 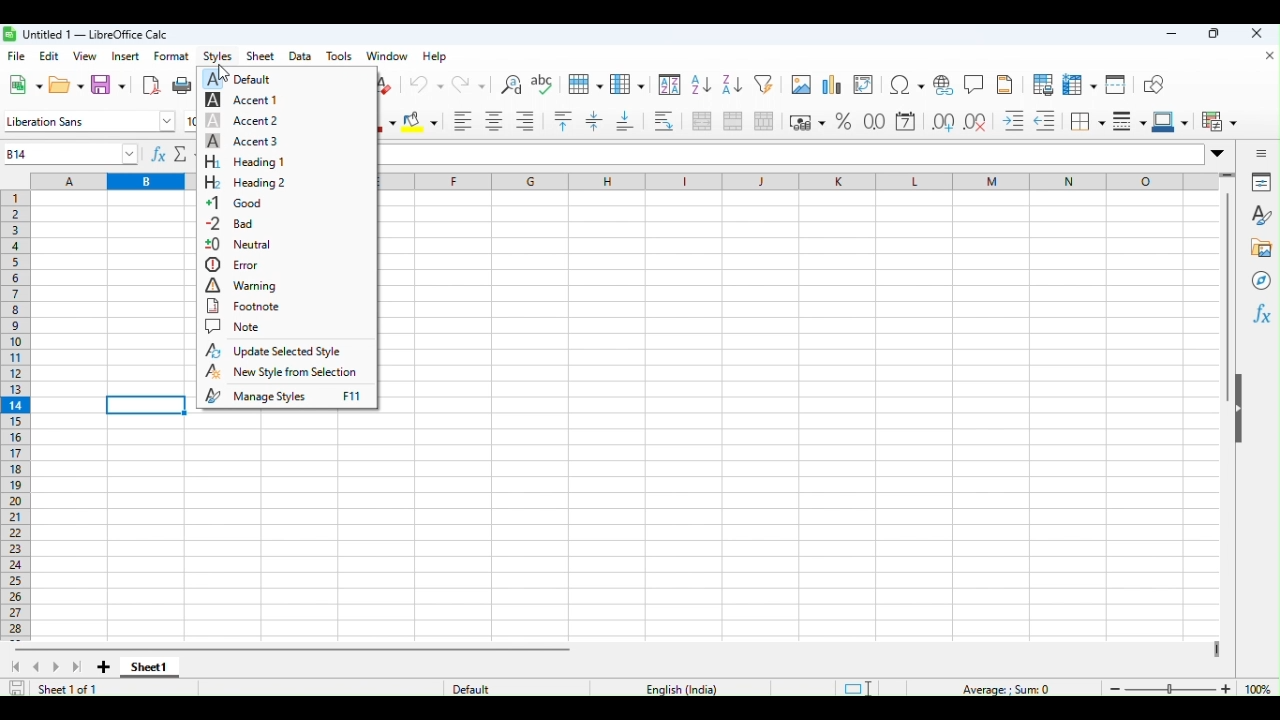 I want to click on Border style, so click(x=1130, y=123).